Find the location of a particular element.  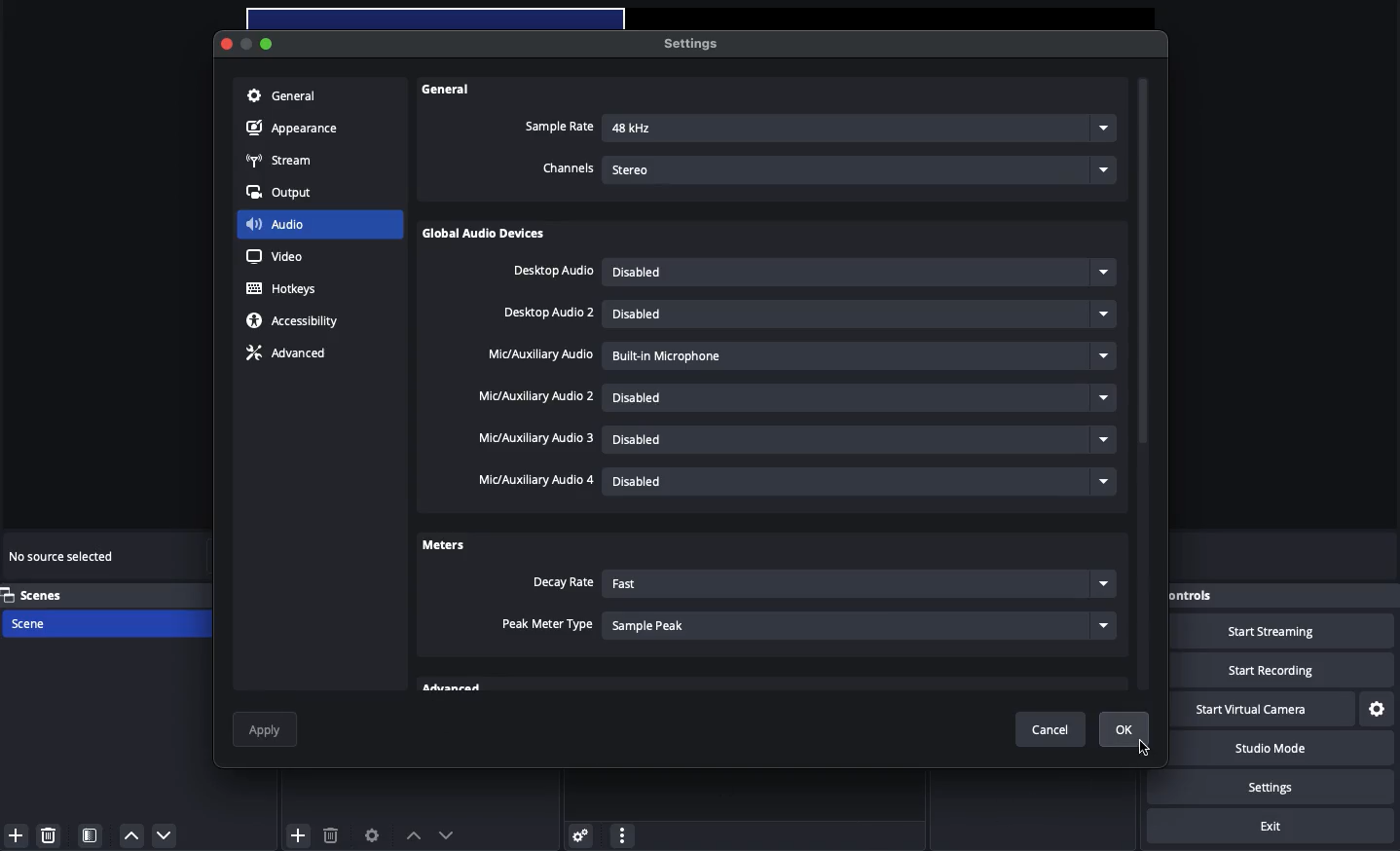

Exit is located at coordinates (1271, 827).